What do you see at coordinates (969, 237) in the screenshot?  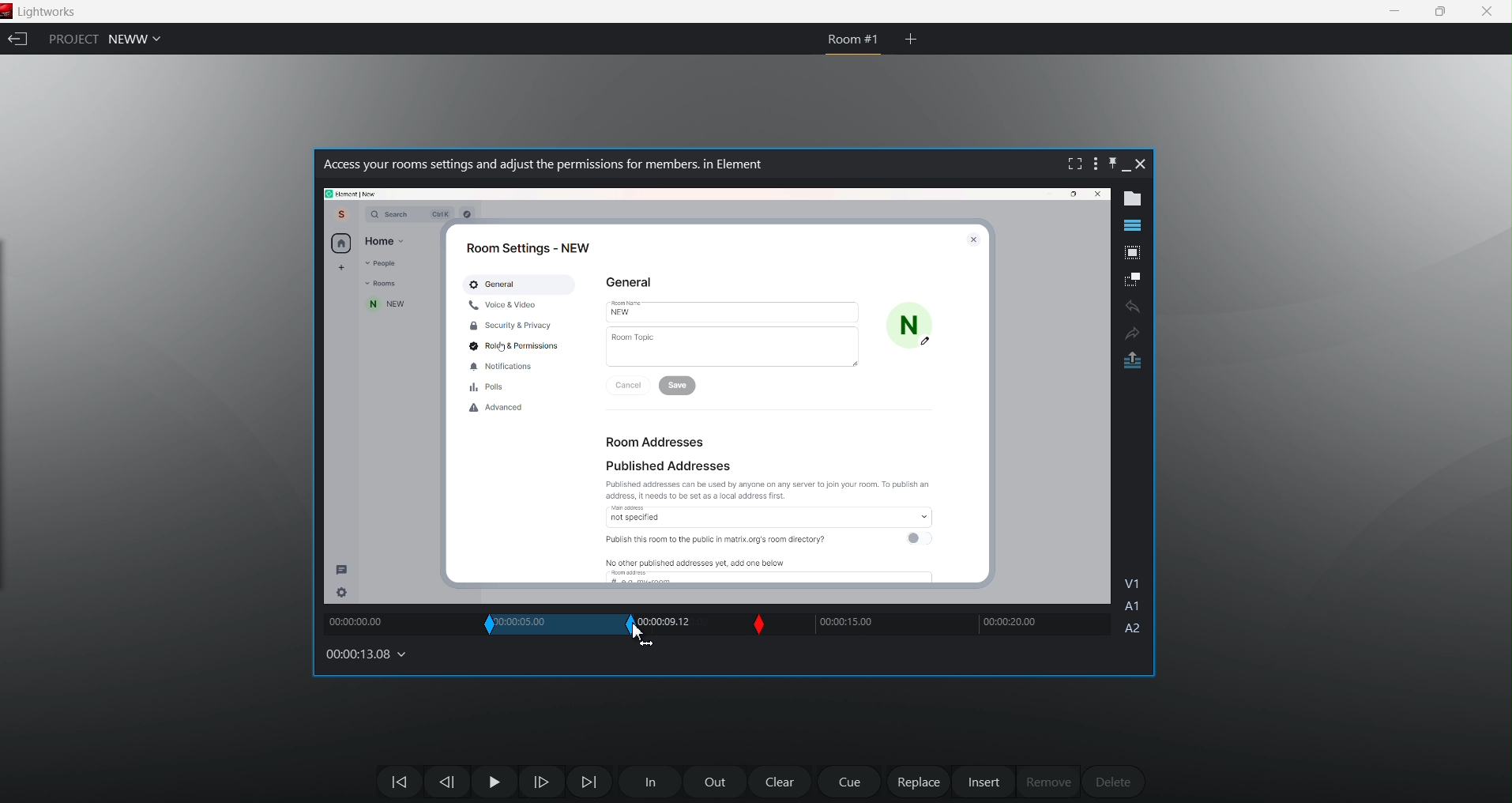 I see `close` at bounding box center [969, 237].